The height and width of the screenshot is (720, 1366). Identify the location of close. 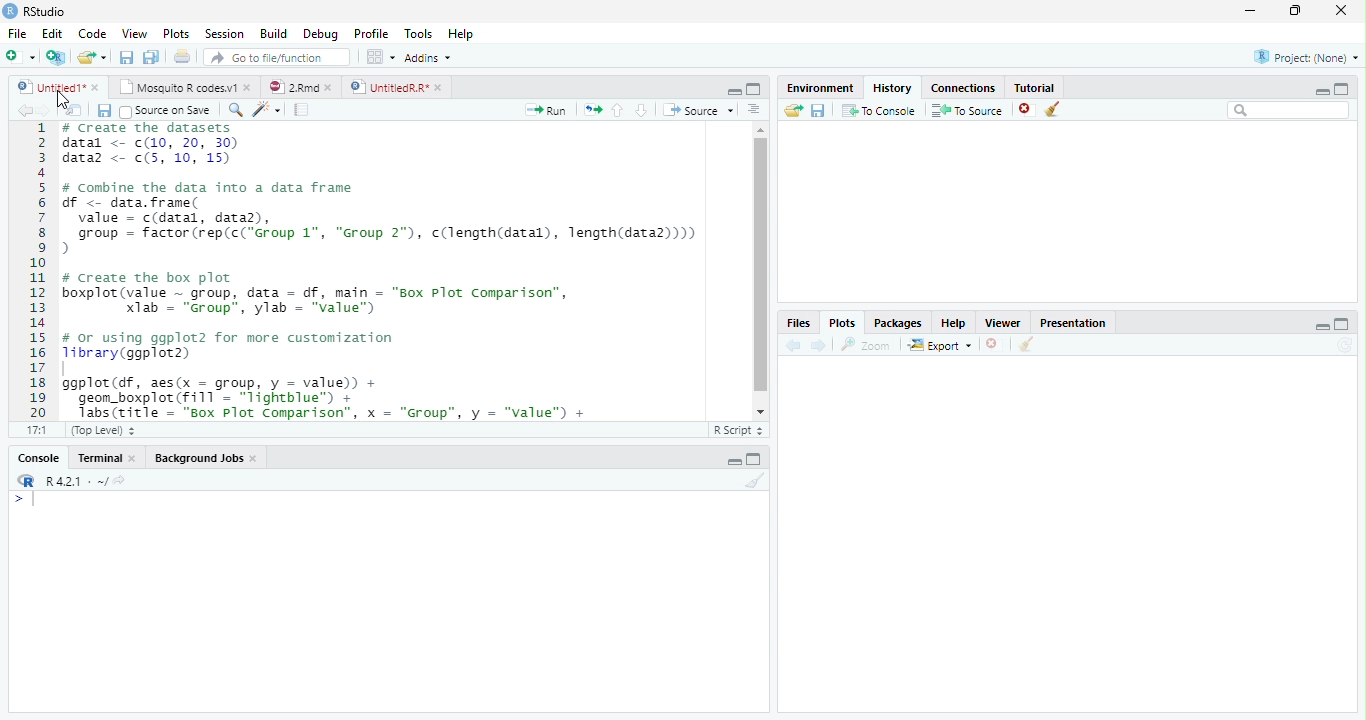
(248, 87).